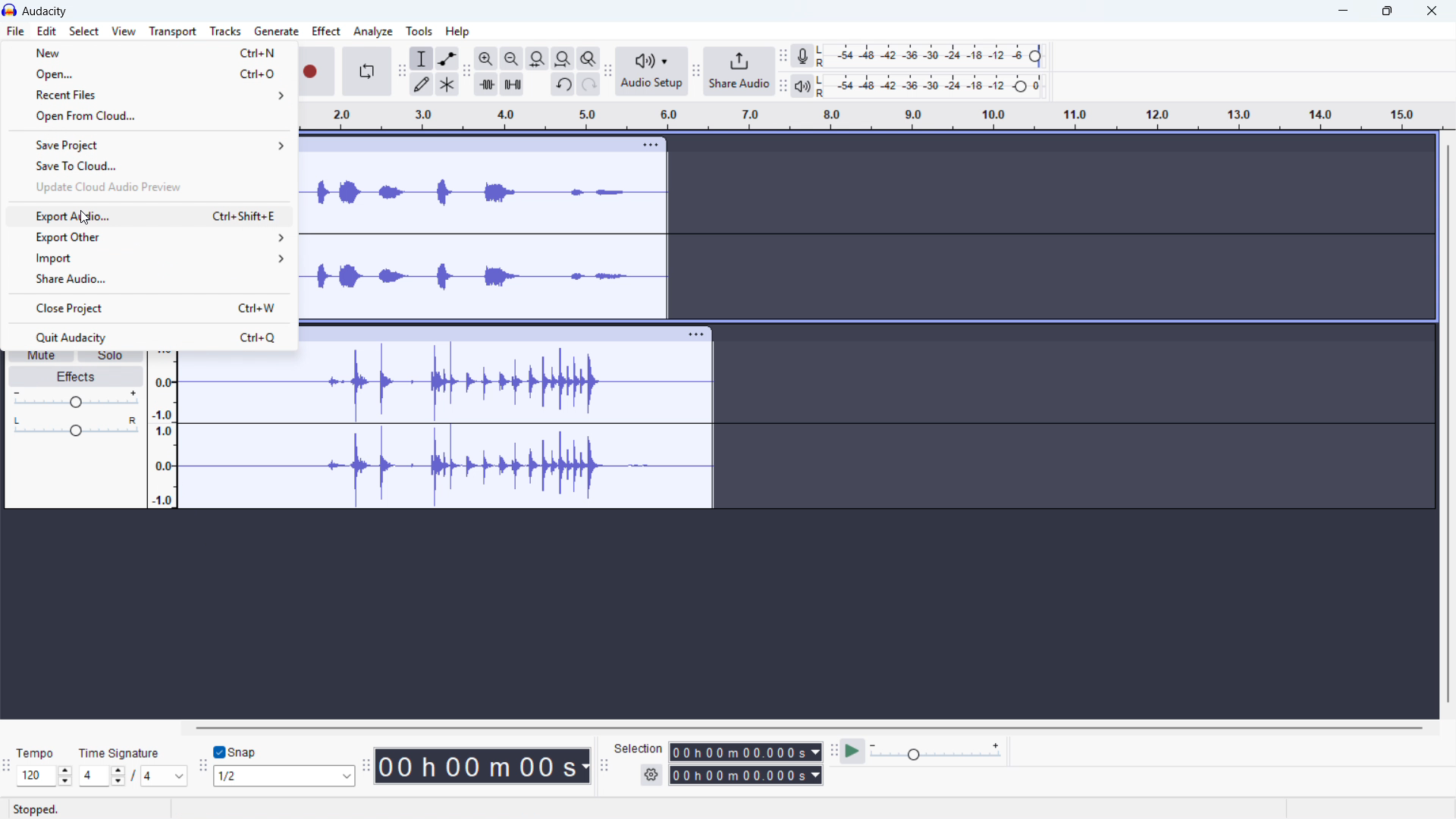 The image size is (1456, 819). What do you see at coordinates (16, 32) in the screenshot?
I see `file ` at bounding box center [16, 32].